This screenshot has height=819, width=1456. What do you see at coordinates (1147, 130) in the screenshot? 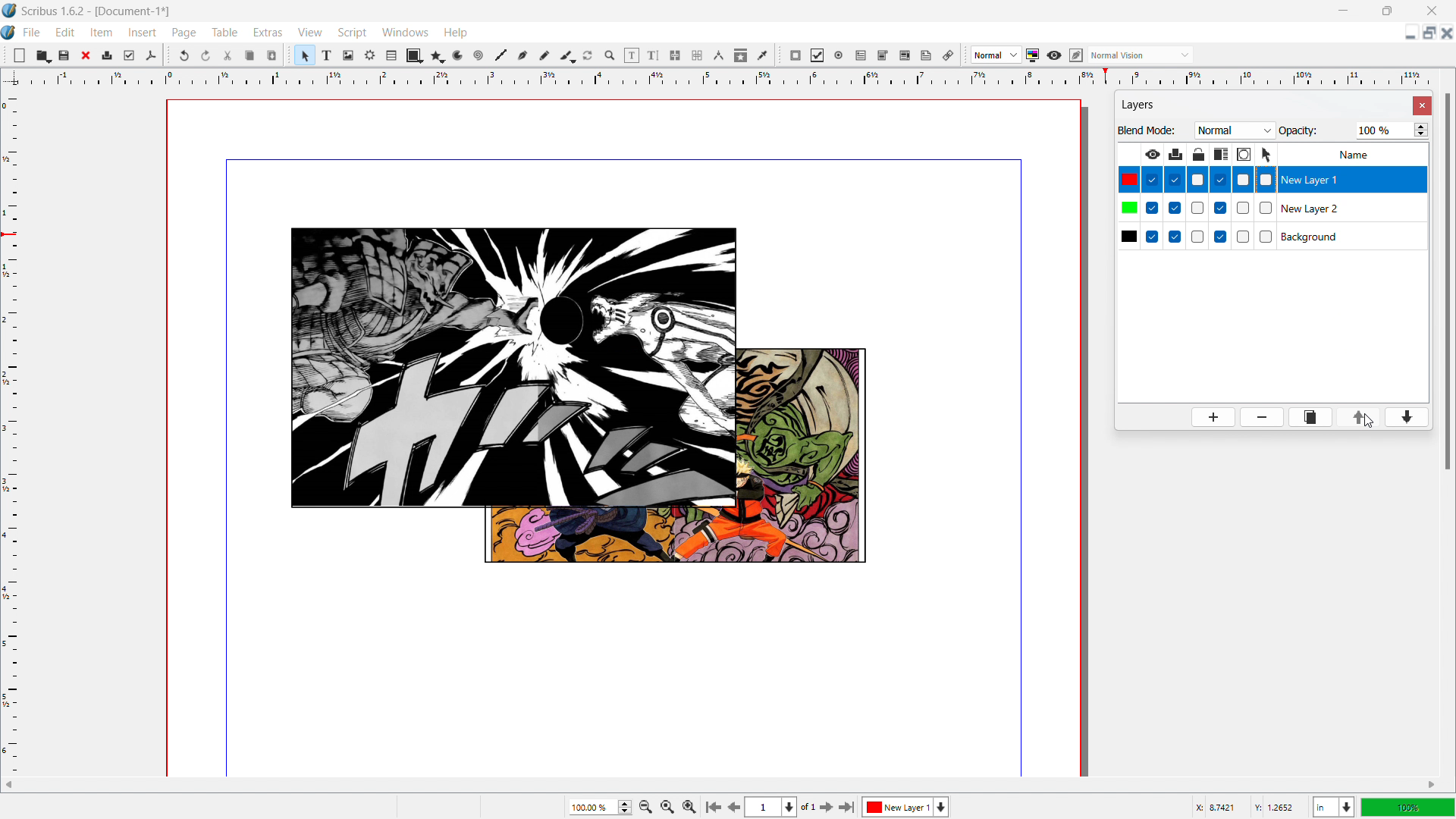
I see `Blend Mode:` at bounding box center [1147, 130].